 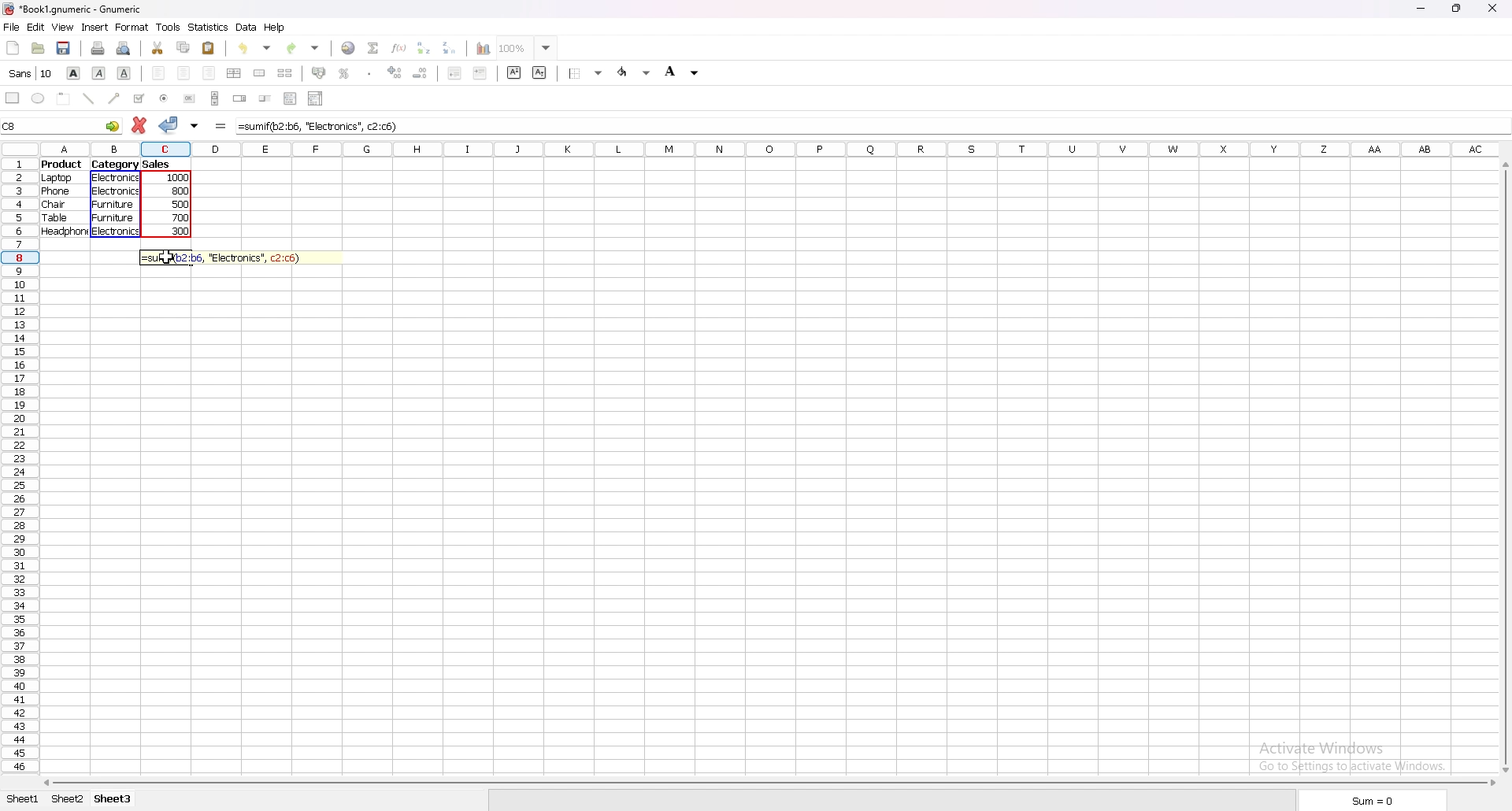 I want to click on print, so click(x=98, y=47).